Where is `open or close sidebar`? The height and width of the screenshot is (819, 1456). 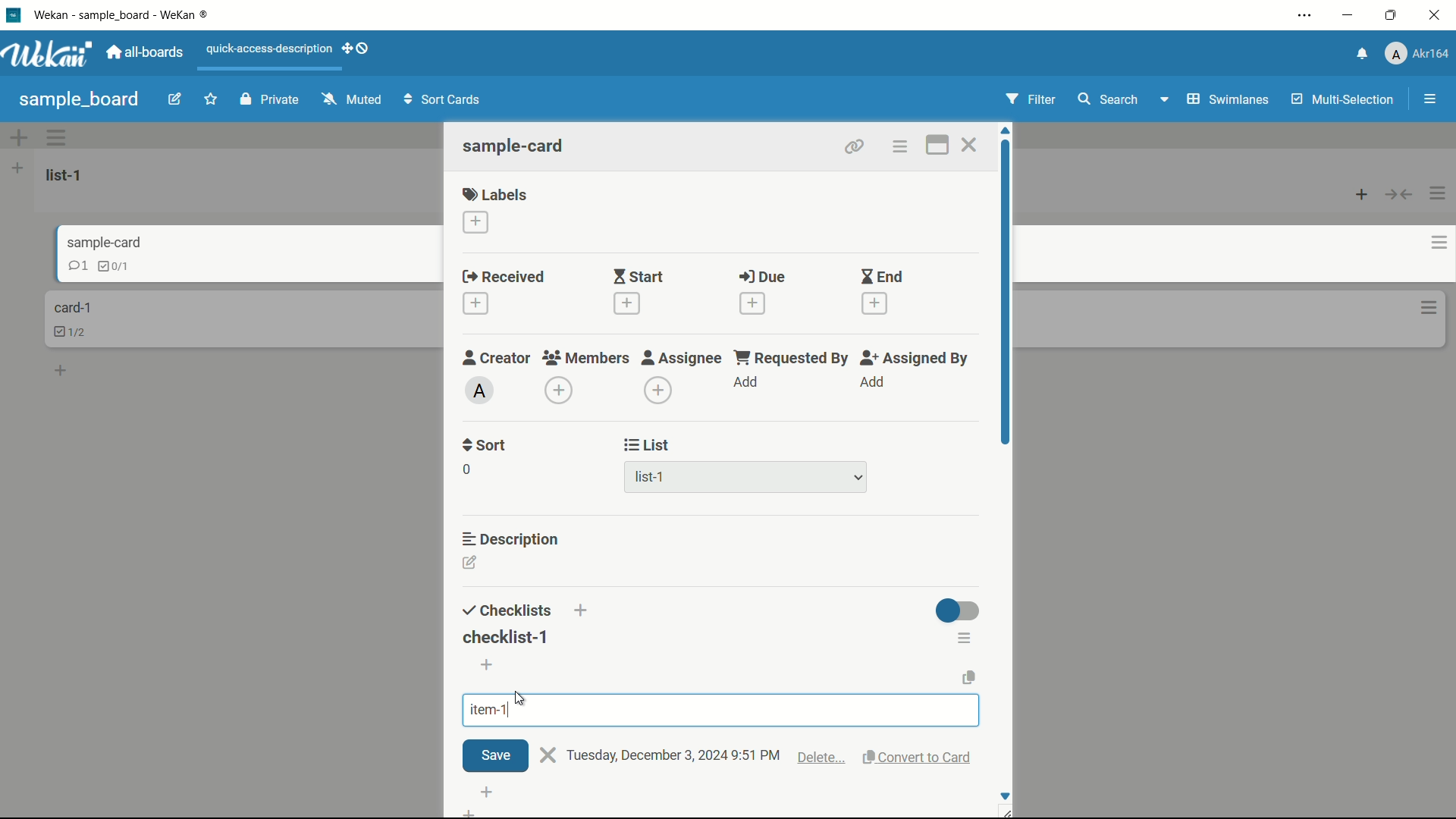
open or close sidebar is located at coordinates (1429, 99).